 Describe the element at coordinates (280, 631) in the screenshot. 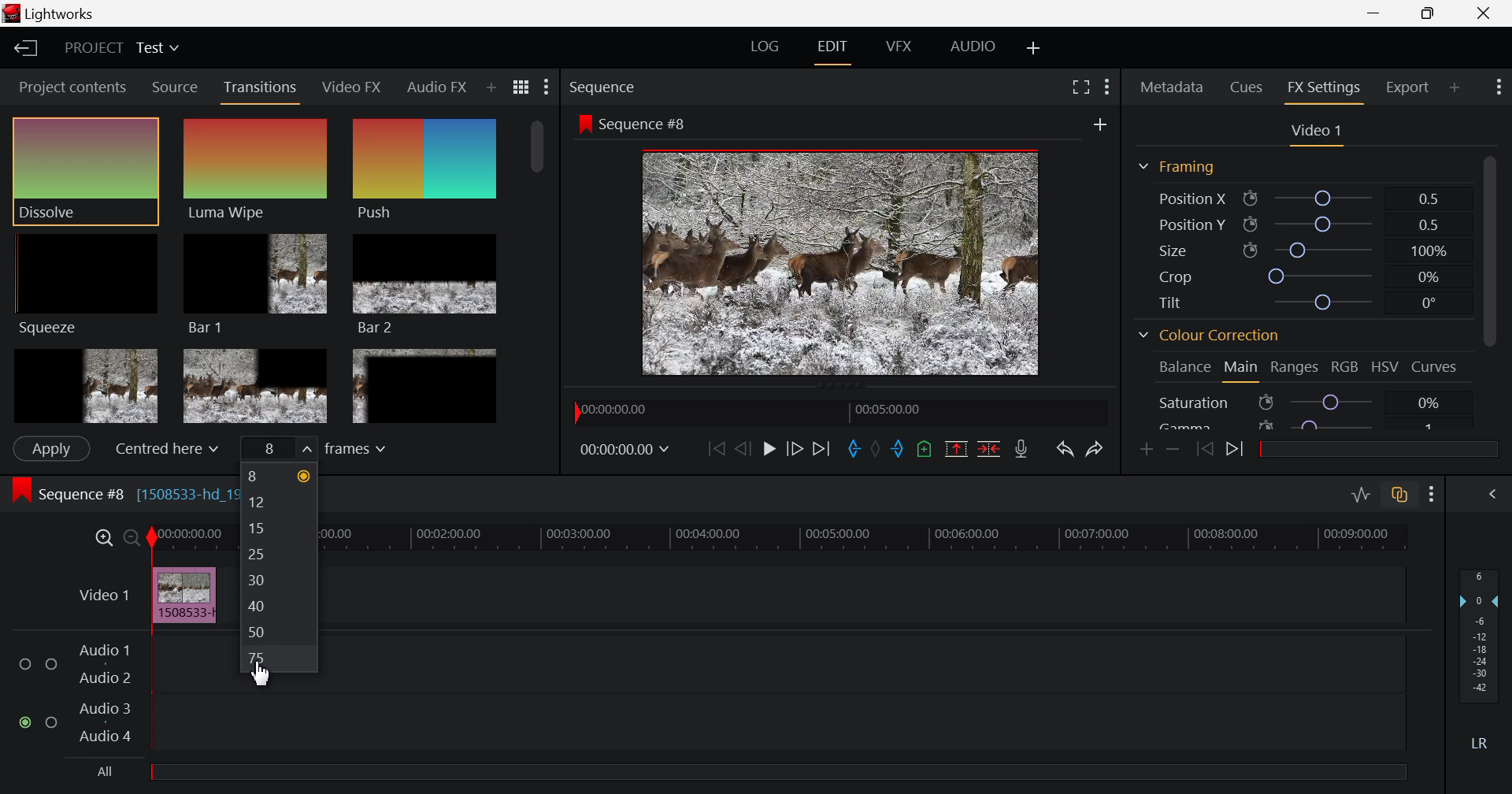

I see `50` at that location.